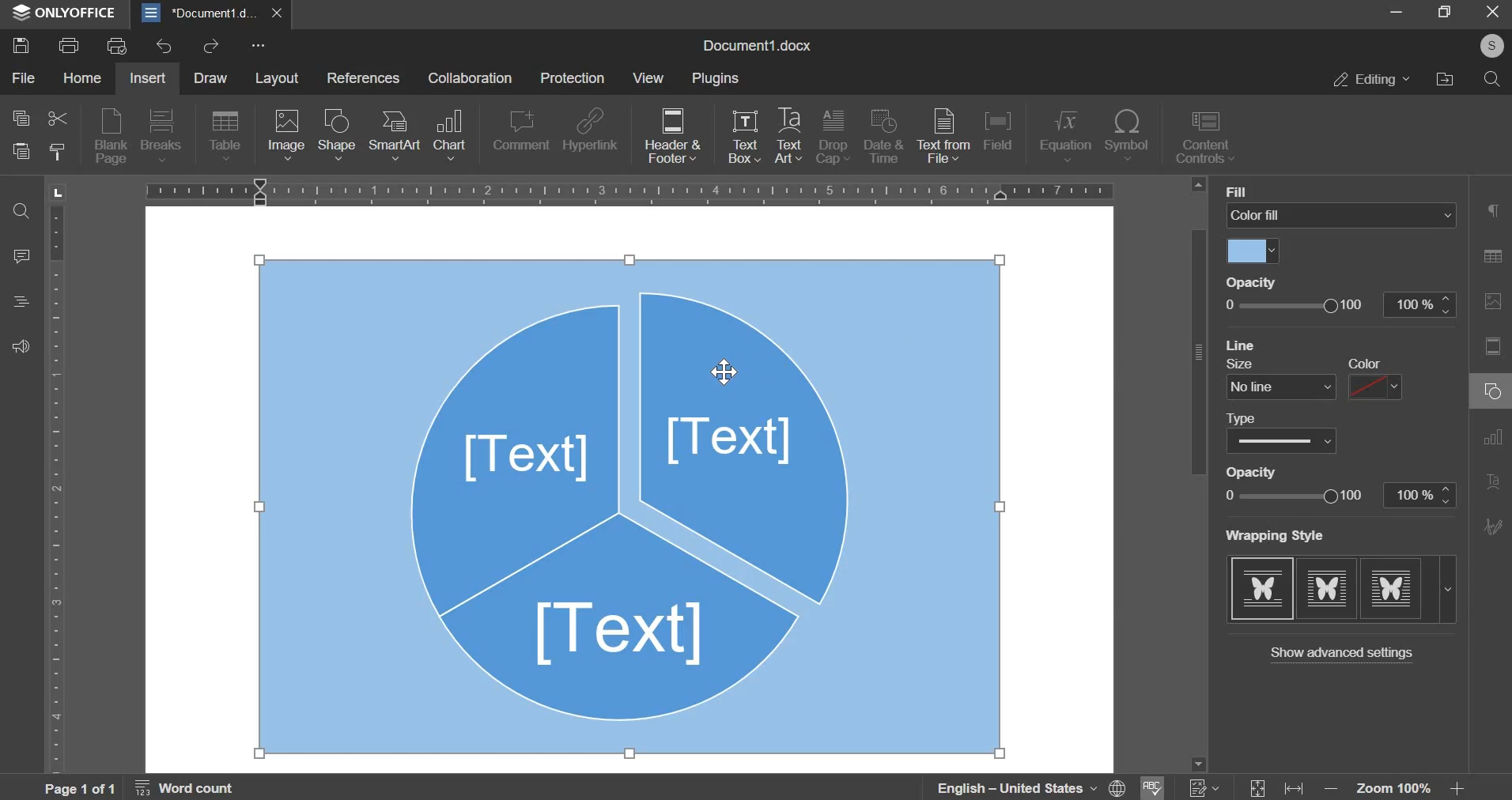 This screenshot has width=1512, height=800. Describe the element at coordinates (883, 135) in the screenshot. I see `date & time` at that location.